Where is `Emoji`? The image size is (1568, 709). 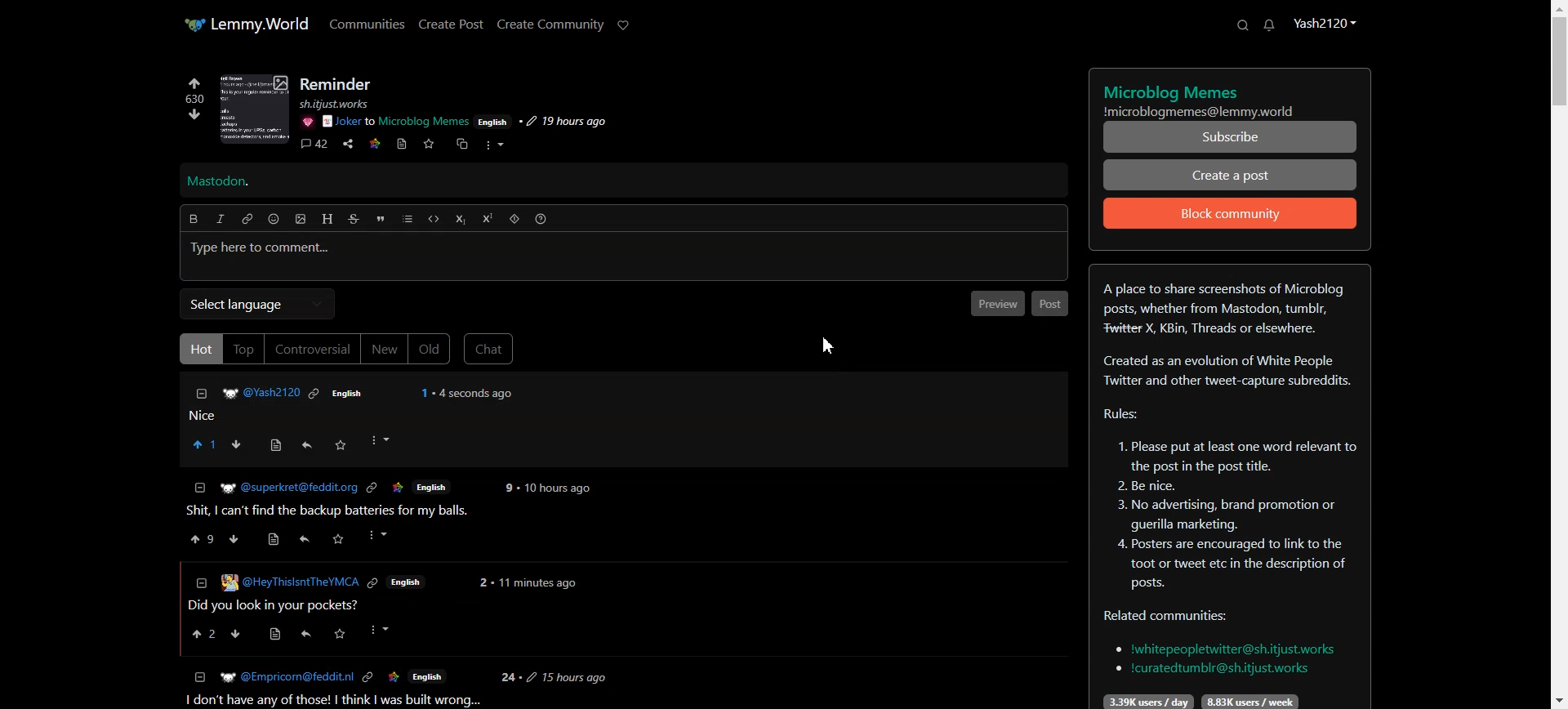
Emoji is located at coordinates (274, 219).